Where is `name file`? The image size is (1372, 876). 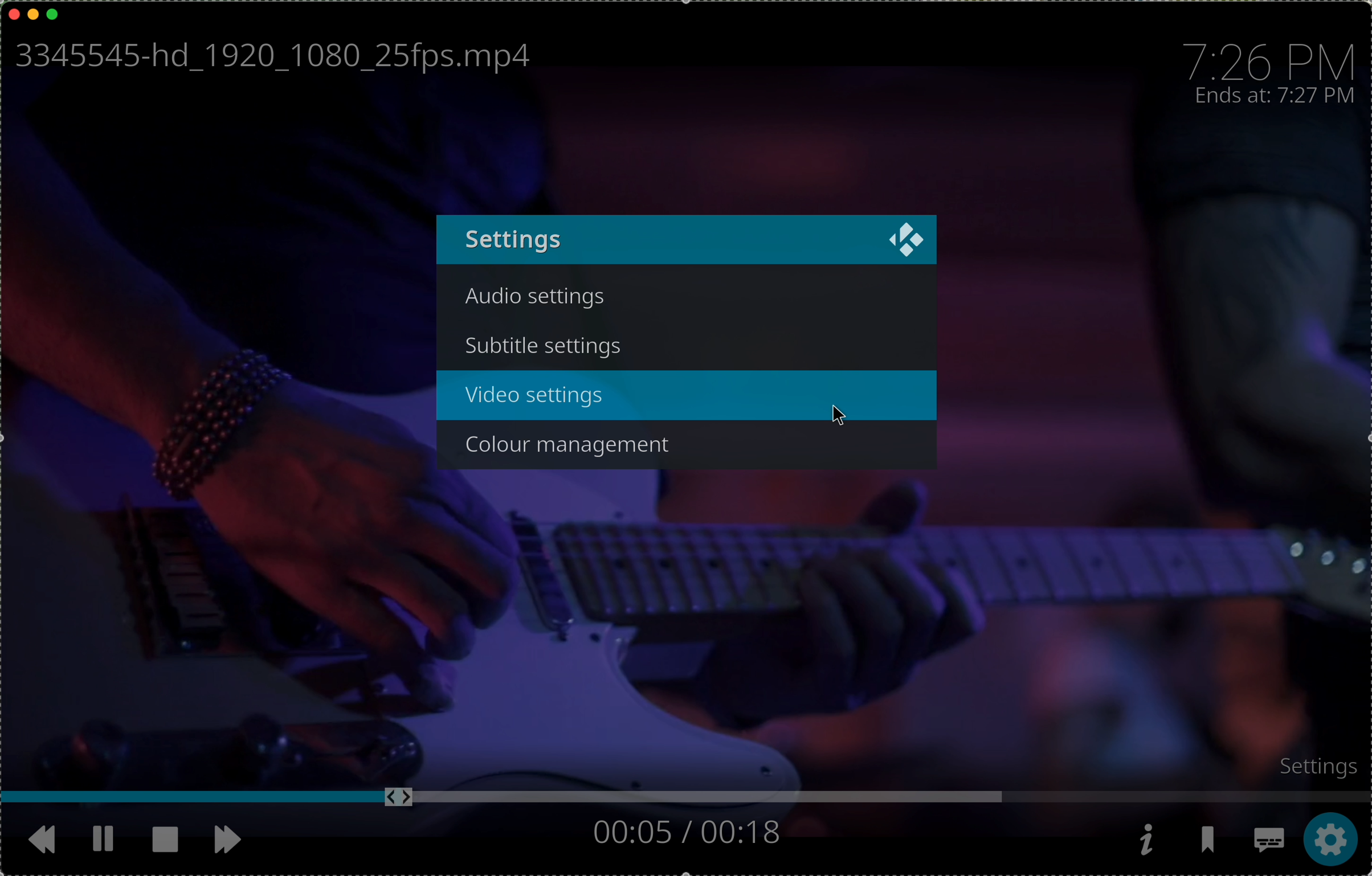
name file is located at coordinates (268, 58).